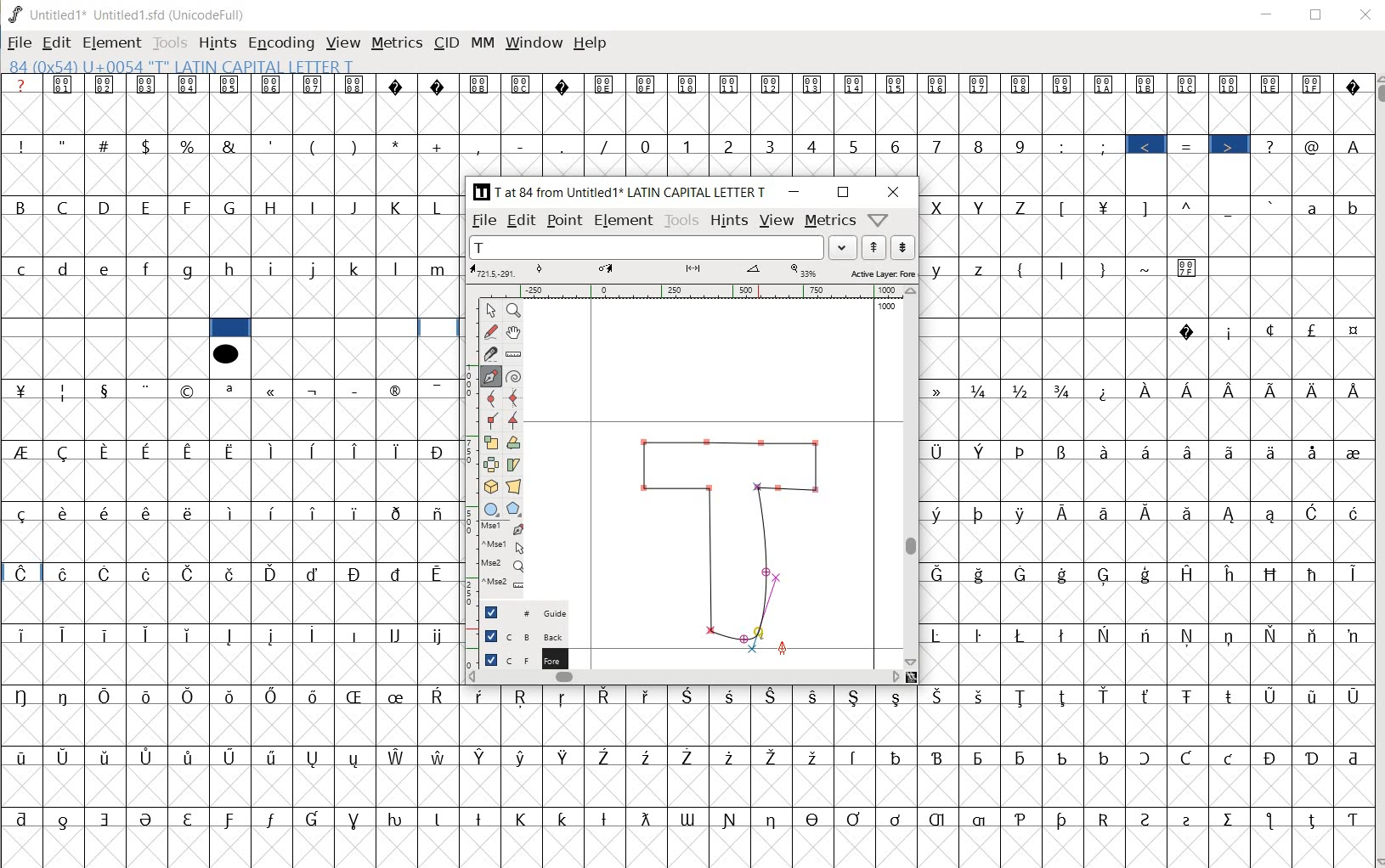  Describe the element at coordinates (105, 511) in the screenshot. I see `Symbol` at that location.